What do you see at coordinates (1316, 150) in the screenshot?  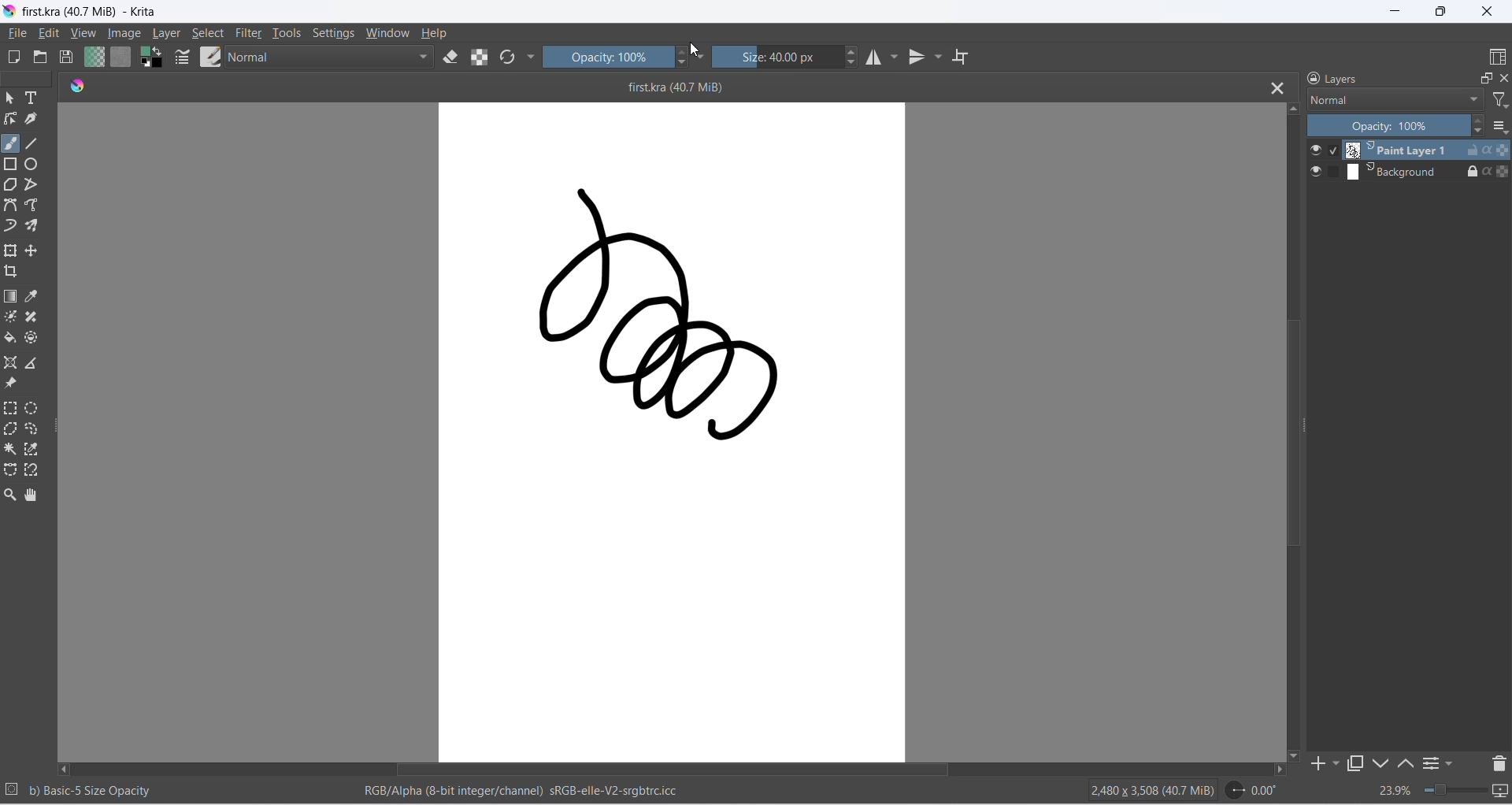 I see `Visibility` at bounding box center [1316, 150].